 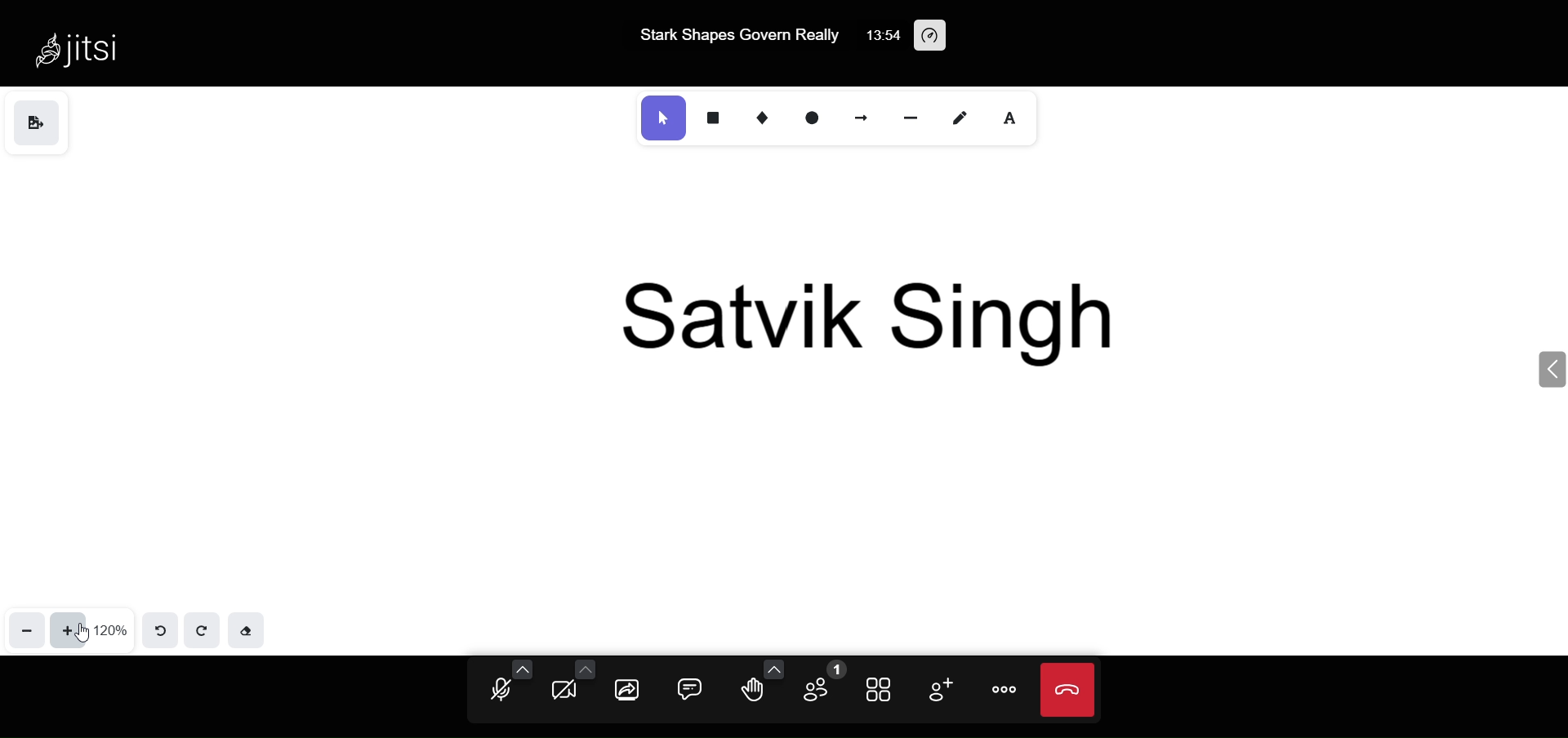 I want to click on ellipse, so click(x=812, y=118).